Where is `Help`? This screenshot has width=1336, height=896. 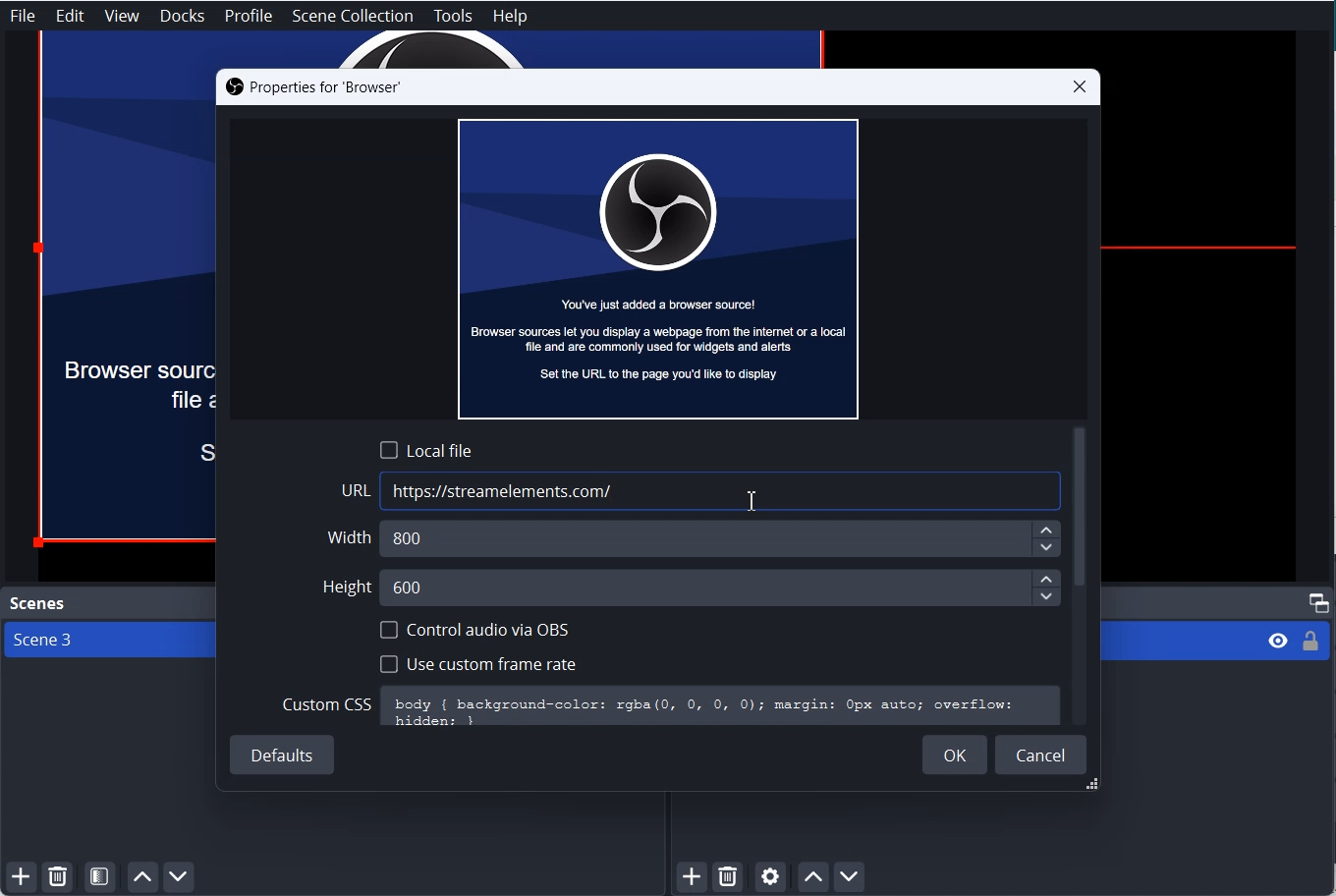 Help is located at coordinates (510, 17).